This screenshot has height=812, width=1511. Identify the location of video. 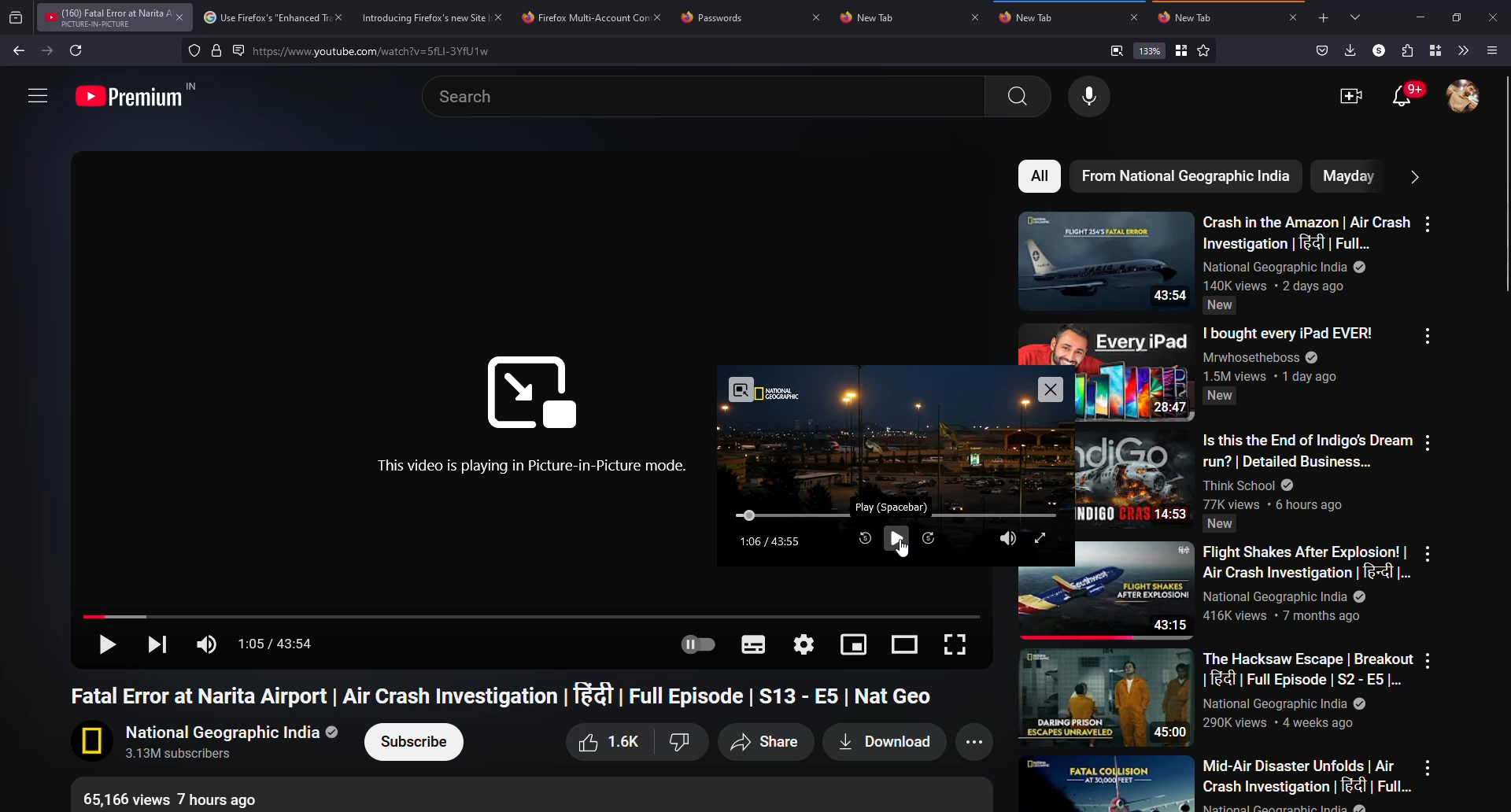
(1351, 96).